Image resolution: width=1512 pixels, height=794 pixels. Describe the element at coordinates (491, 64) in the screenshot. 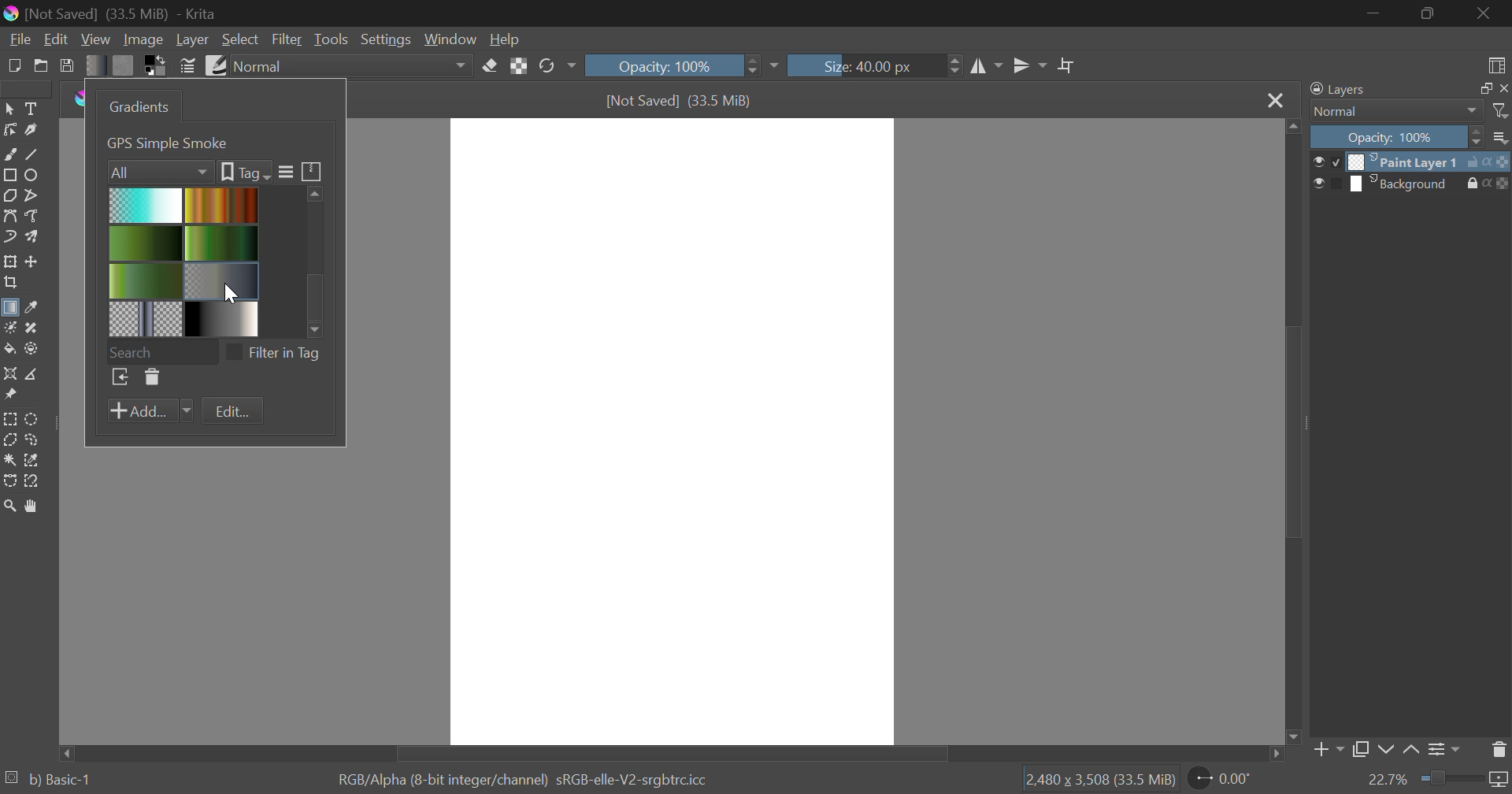

I see `Eraser` at that location.